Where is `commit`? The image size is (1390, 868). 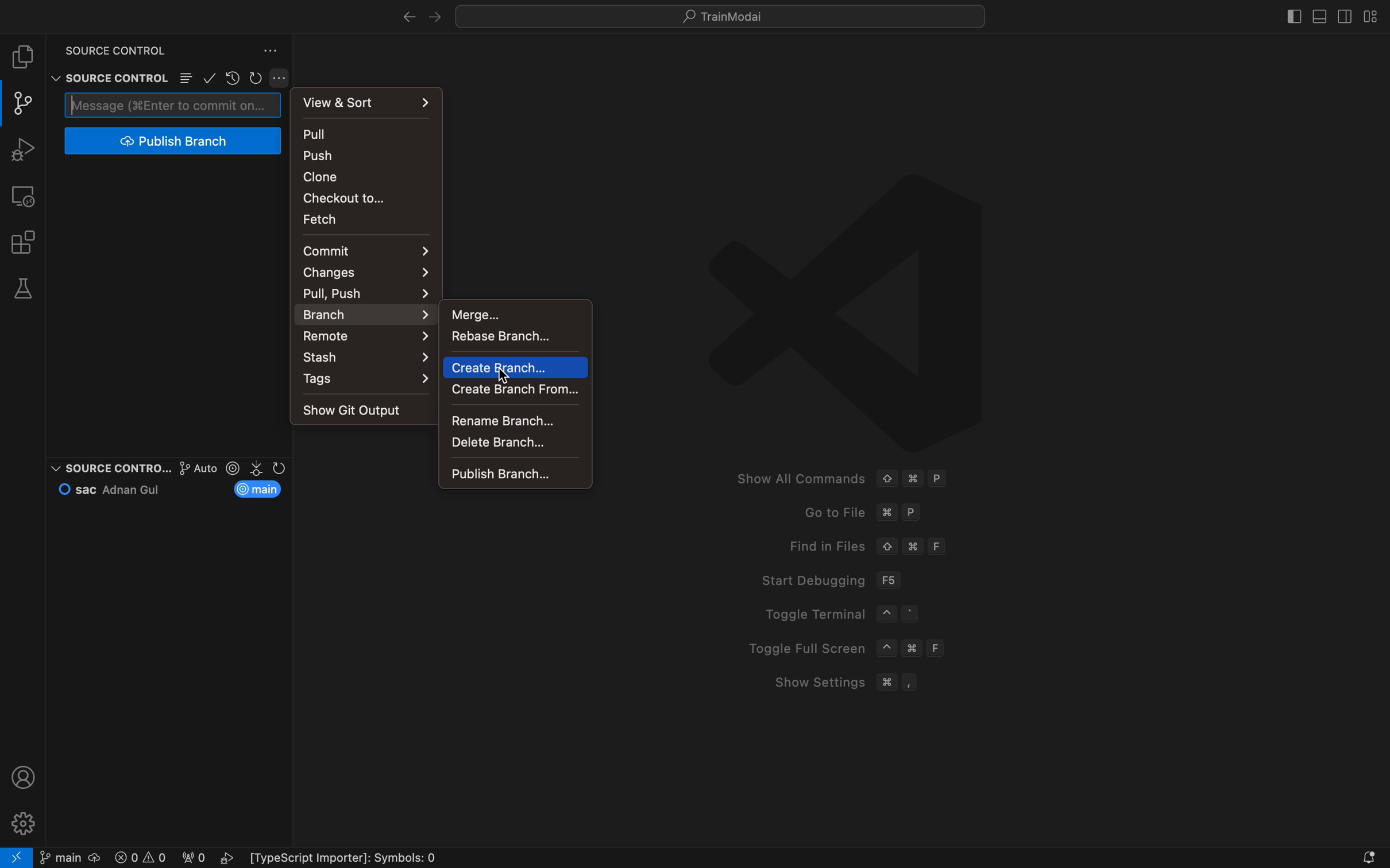 commit is located at coordinates (364, 250).